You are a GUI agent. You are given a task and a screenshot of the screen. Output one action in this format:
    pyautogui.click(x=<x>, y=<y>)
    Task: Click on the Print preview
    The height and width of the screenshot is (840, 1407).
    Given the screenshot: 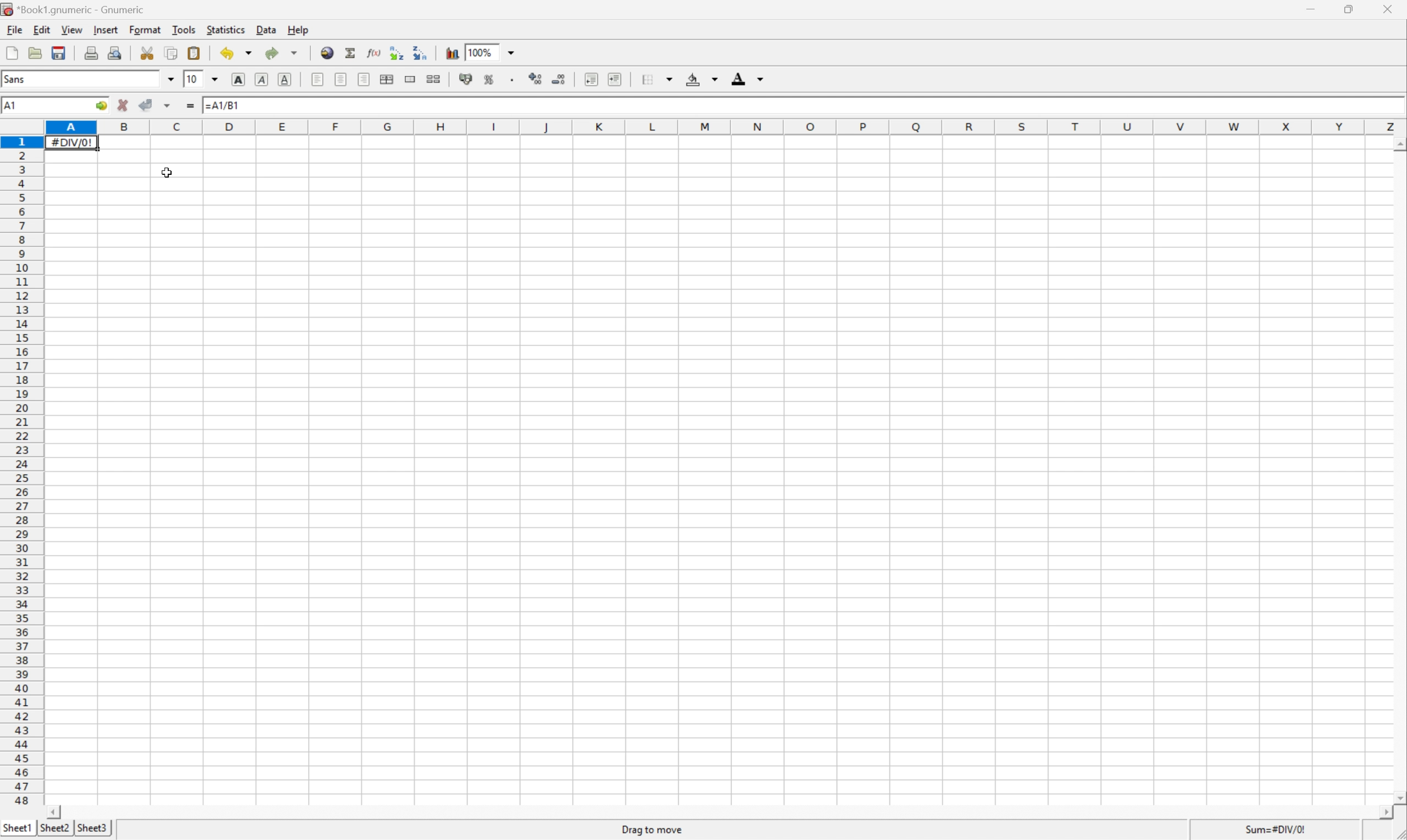 What is the action you would take?
    pyautogui.click(x=117, y=53)
    